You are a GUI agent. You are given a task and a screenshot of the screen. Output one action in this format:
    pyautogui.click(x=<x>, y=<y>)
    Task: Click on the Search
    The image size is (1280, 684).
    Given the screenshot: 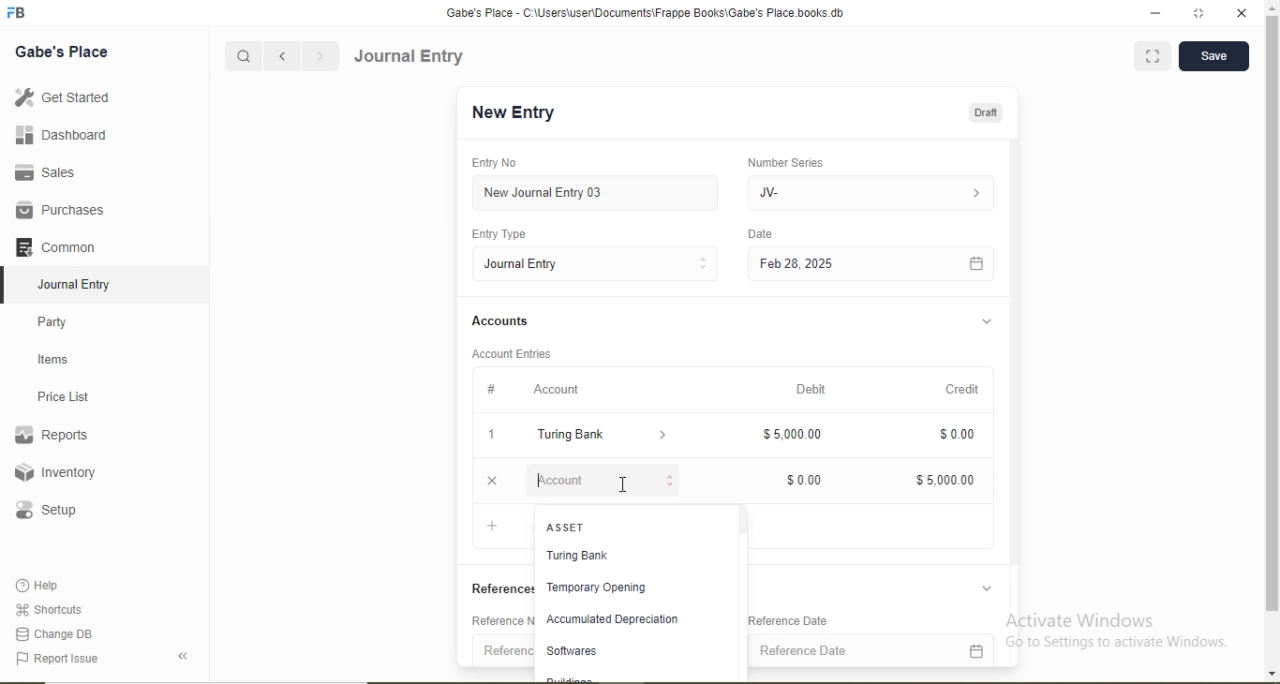 What is the action you would take?
    pyautogui.click(x=242, y=57)
    